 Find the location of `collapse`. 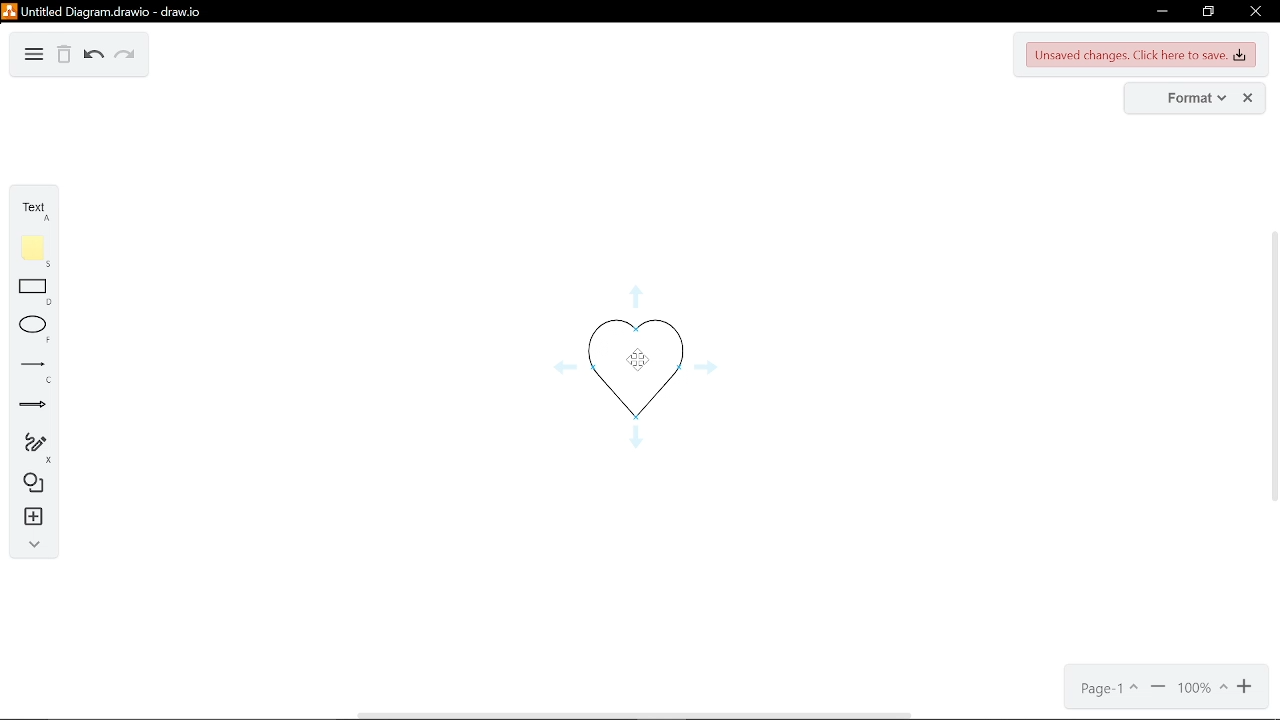

collapse is located at coordinates (33, 546).